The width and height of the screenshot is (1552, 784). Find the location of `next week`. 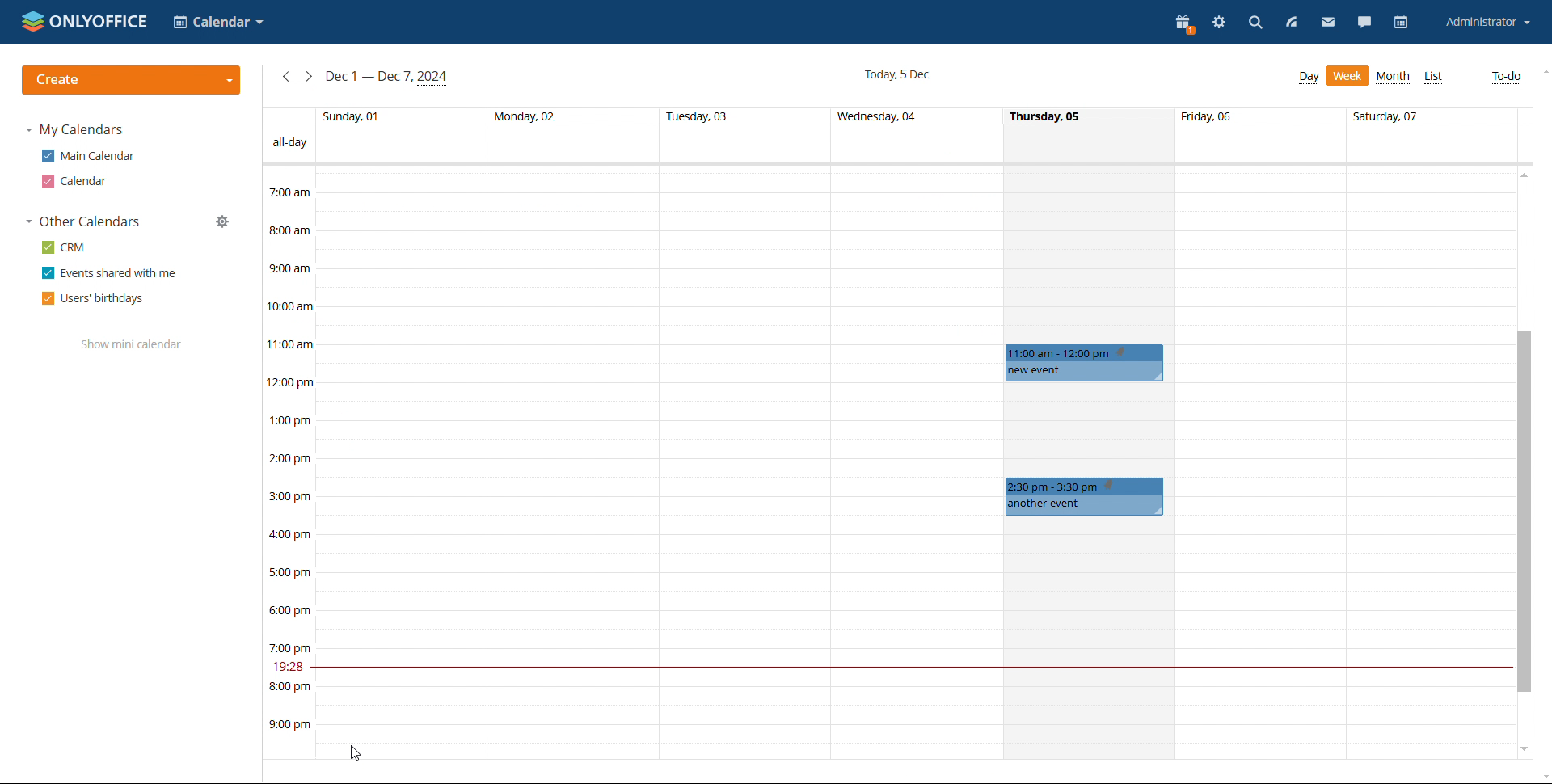

next week is located at coordinates (308, 76).